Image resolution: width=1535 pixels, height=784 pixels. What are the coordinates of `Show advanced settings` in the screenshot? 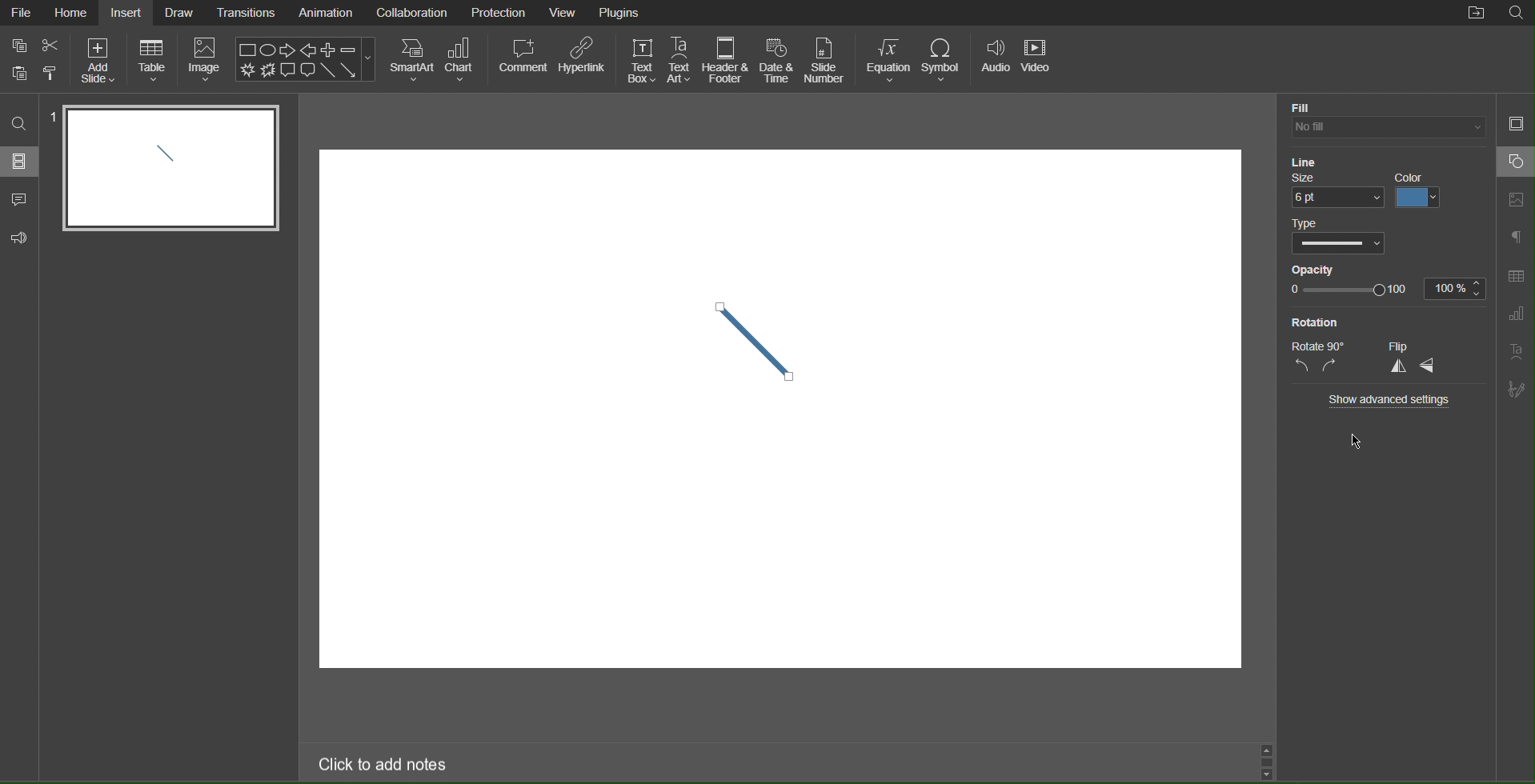 It's located at (1393, 399).